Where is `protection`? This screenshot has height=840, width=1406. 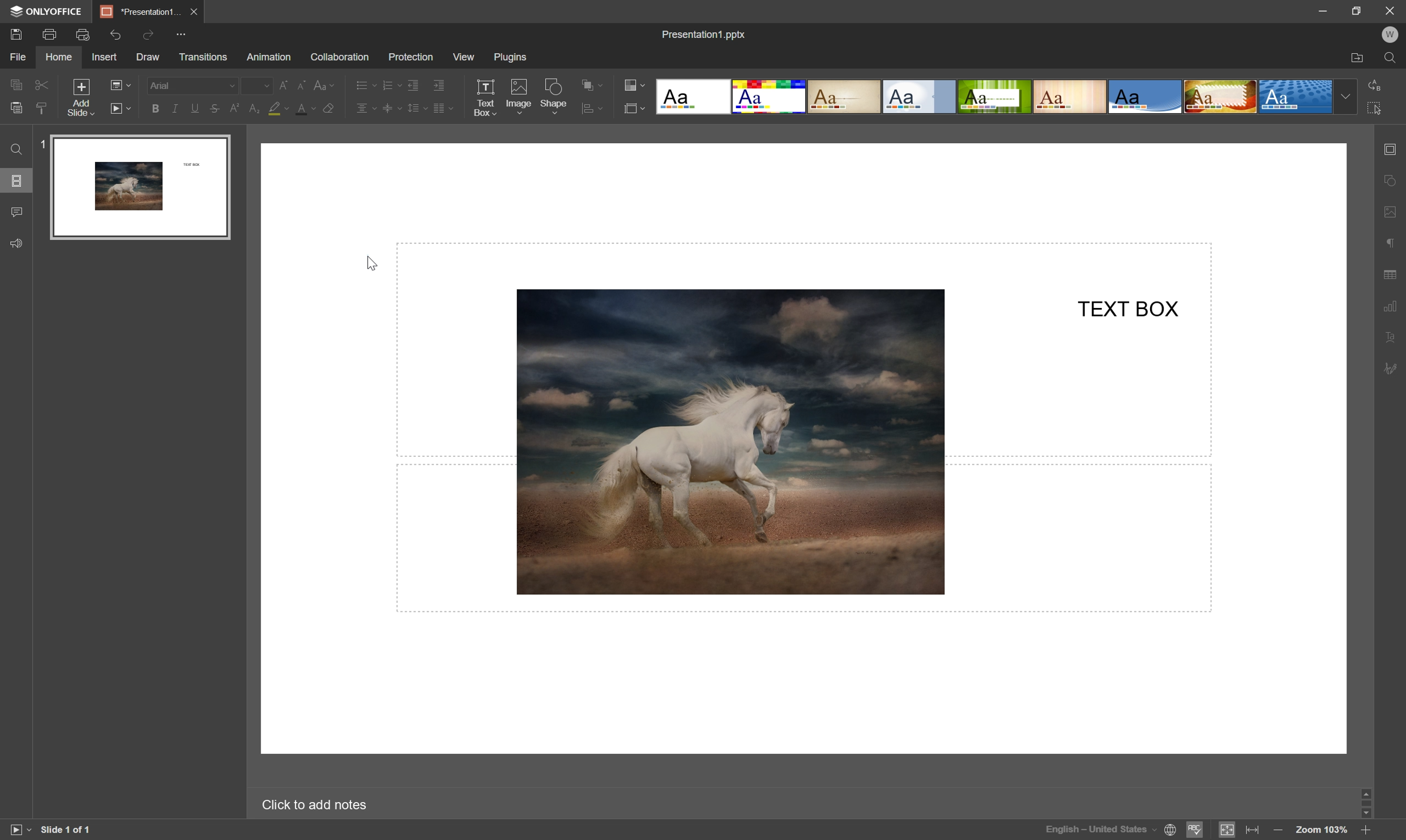 protection is located at coordinates (409, 57).